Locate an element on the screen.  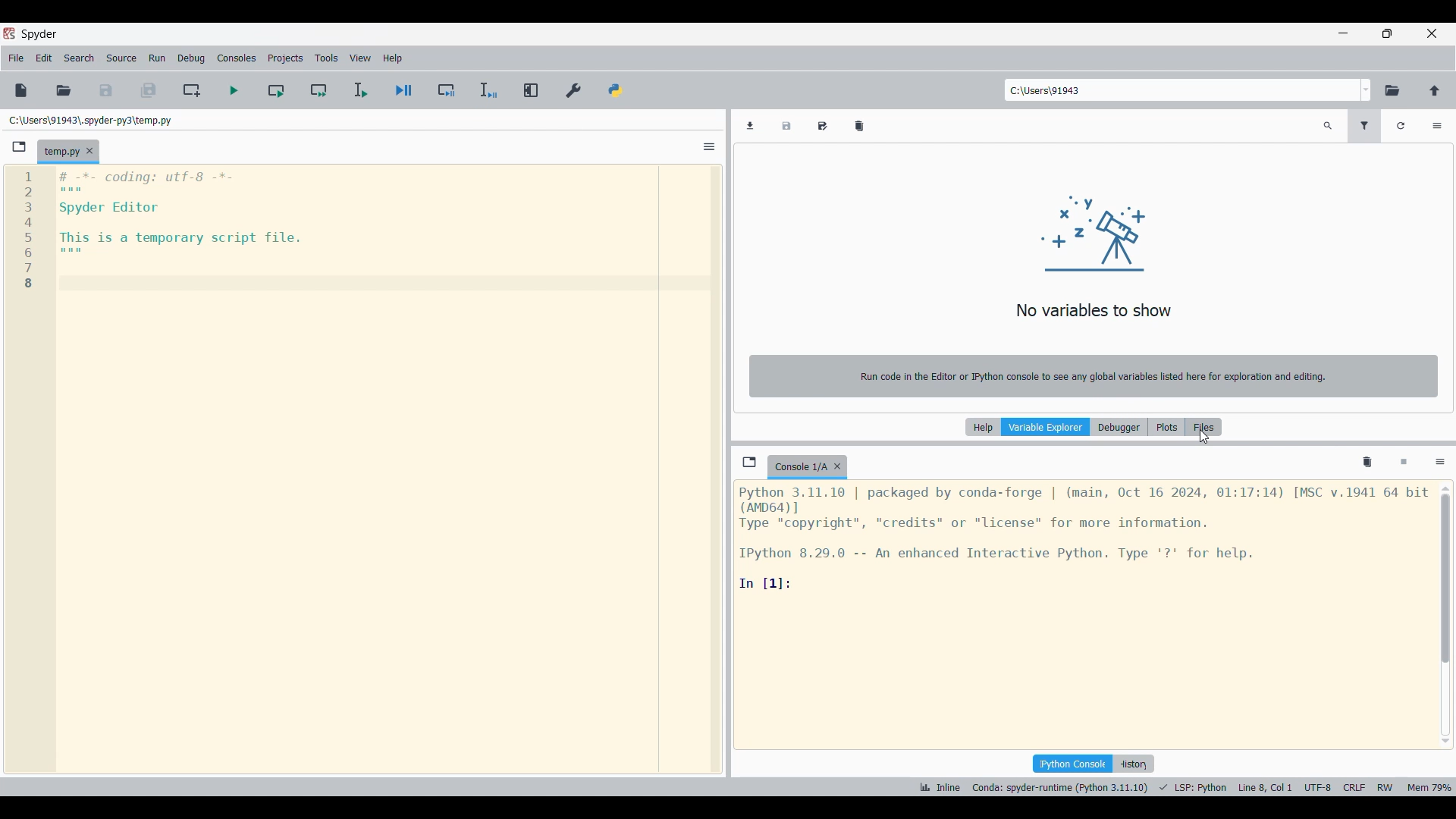
PYTHONPATH manager is located at coordinates (616, 91).